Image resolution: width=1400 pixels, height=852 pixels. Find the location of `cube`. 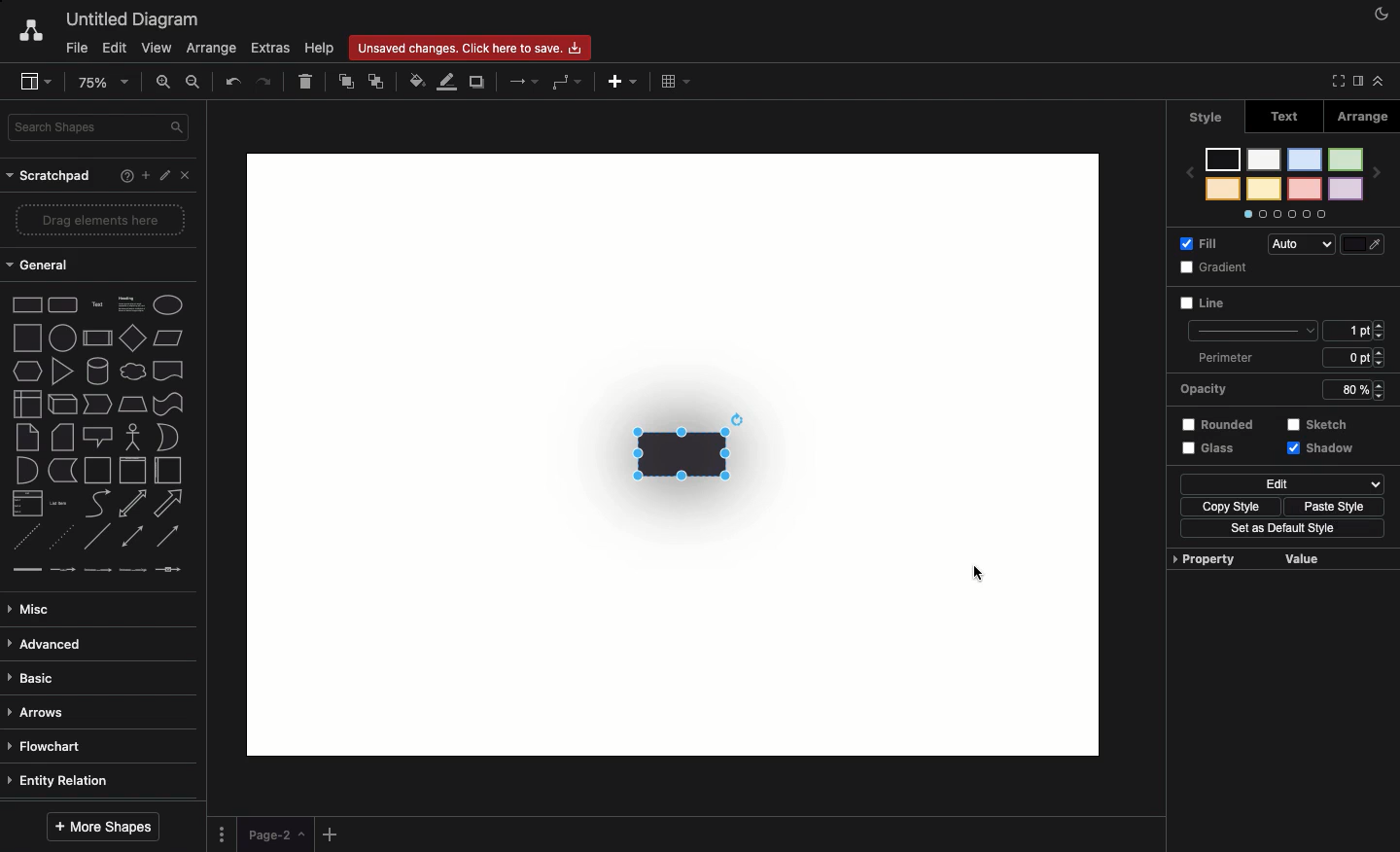

cube is located at coordinates (59, 403).